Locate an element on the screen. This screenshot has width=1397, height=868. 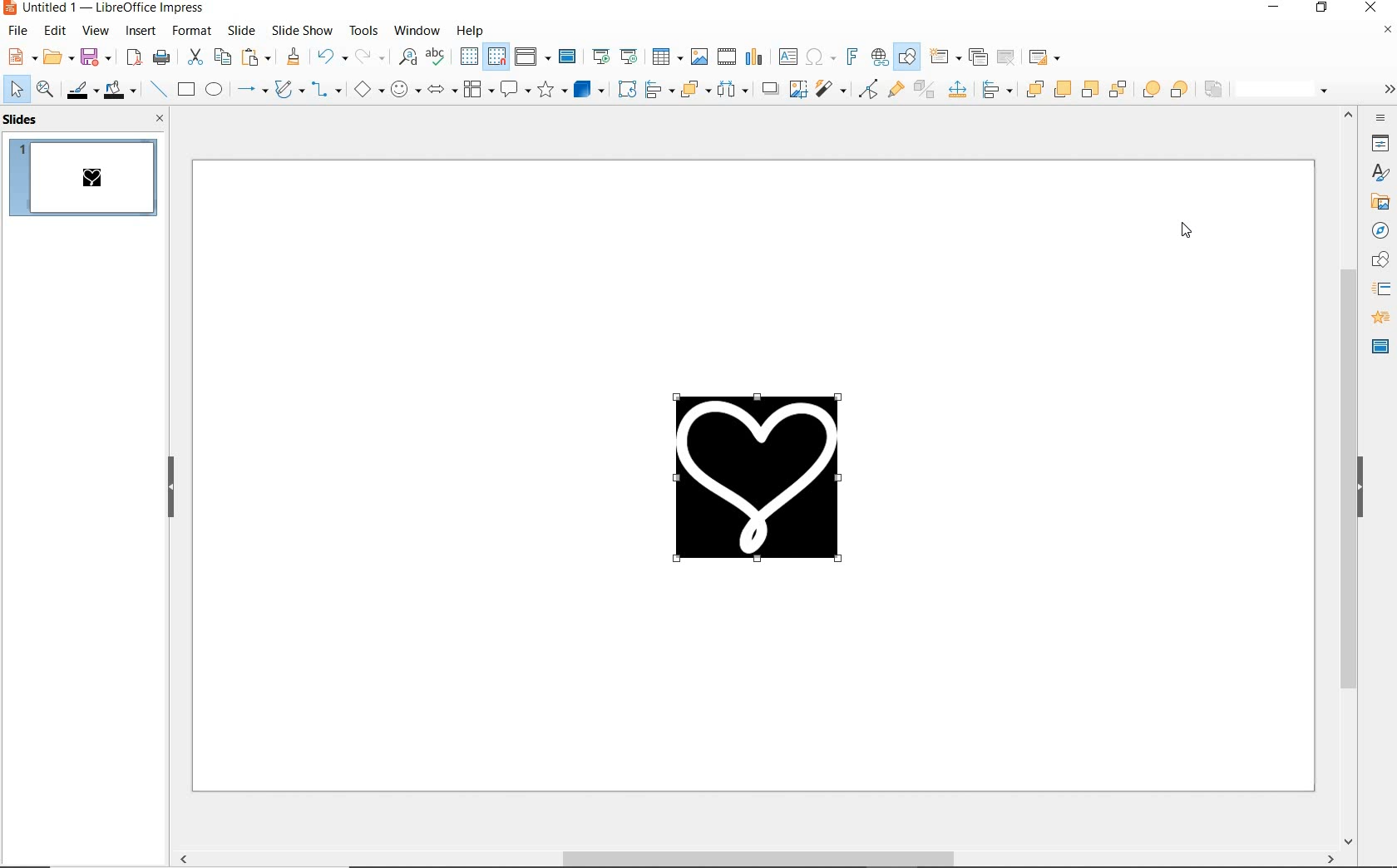
align objects is located at coordinates (658, 90).